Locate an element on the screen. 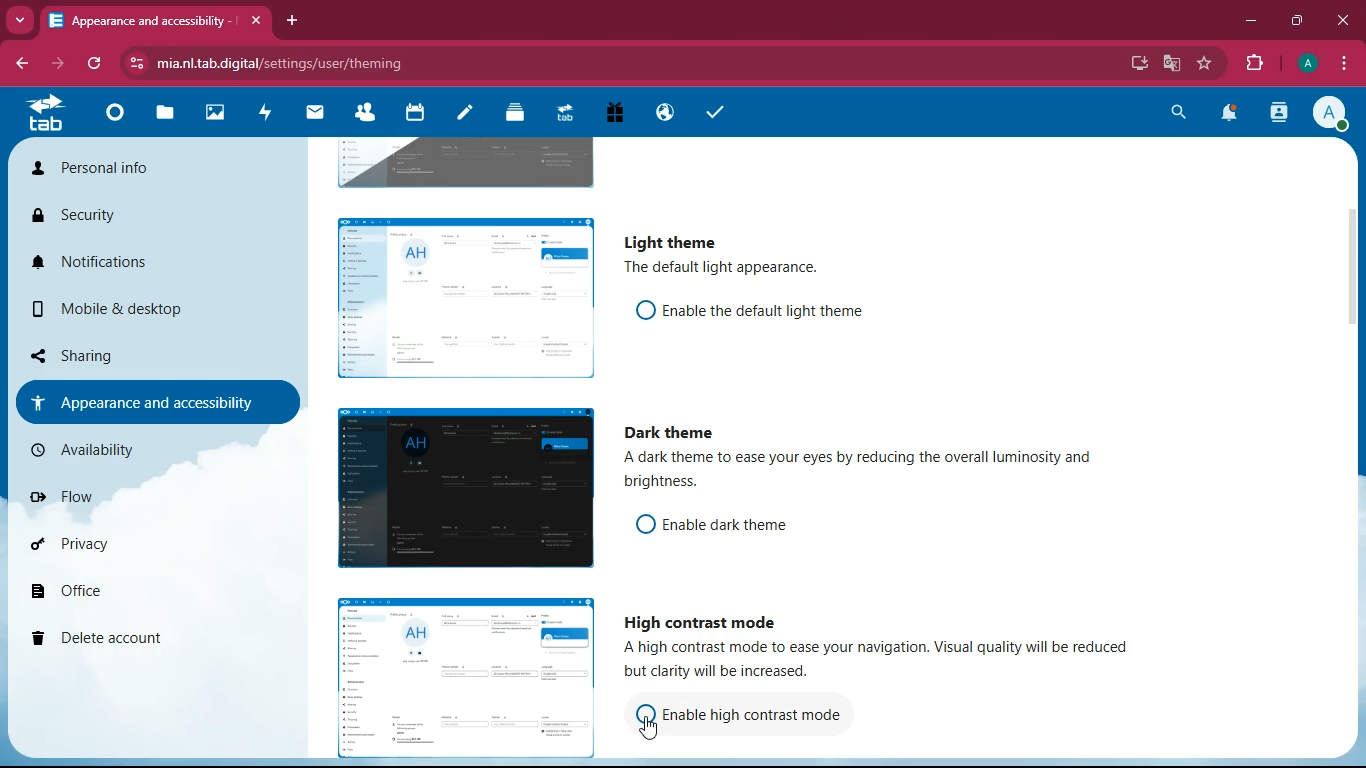  profile is located at coordinates (1331, 116).